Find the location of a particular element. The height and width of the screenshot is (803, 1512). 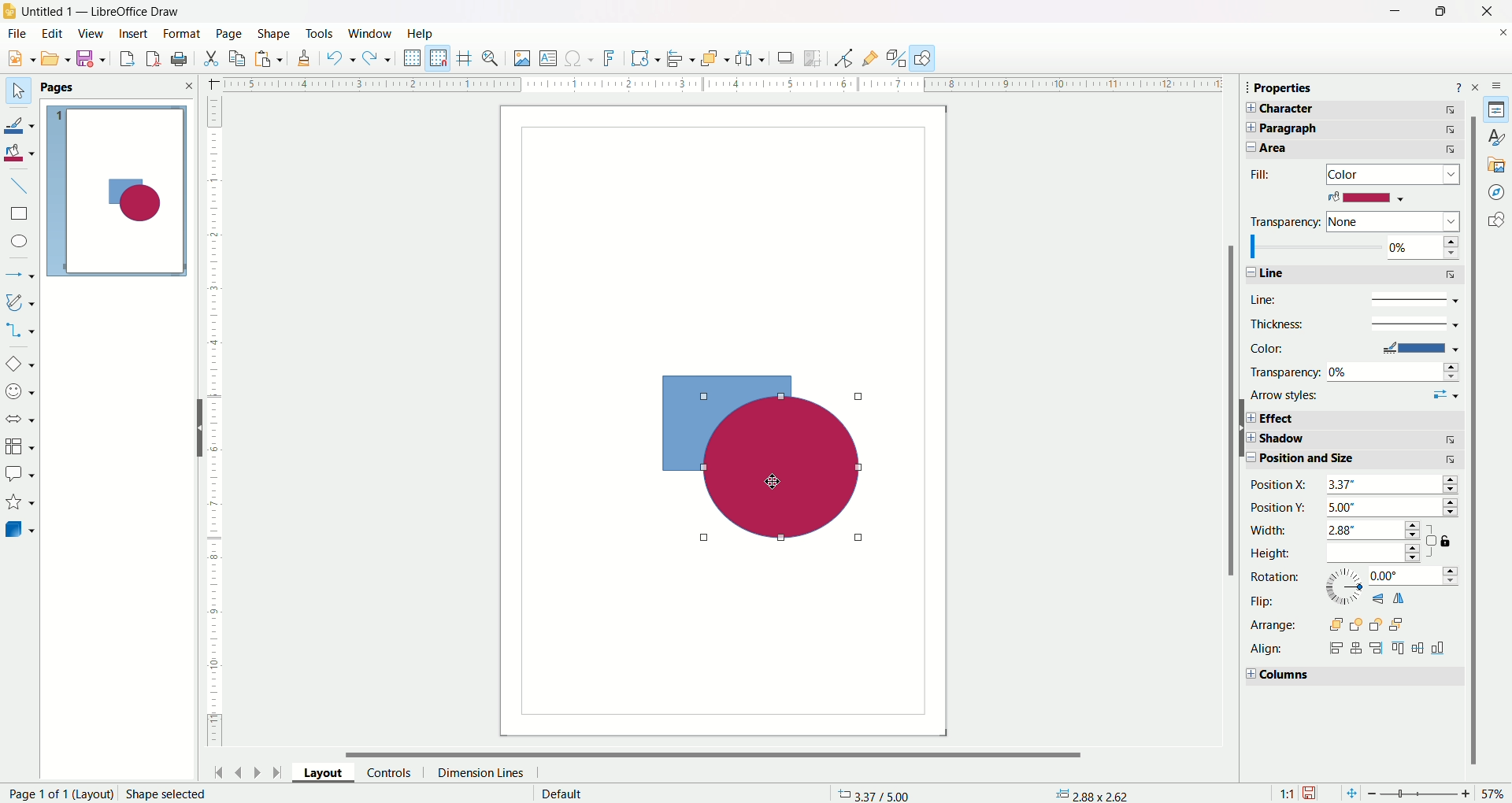

line is located at coordinates (1351, 298).